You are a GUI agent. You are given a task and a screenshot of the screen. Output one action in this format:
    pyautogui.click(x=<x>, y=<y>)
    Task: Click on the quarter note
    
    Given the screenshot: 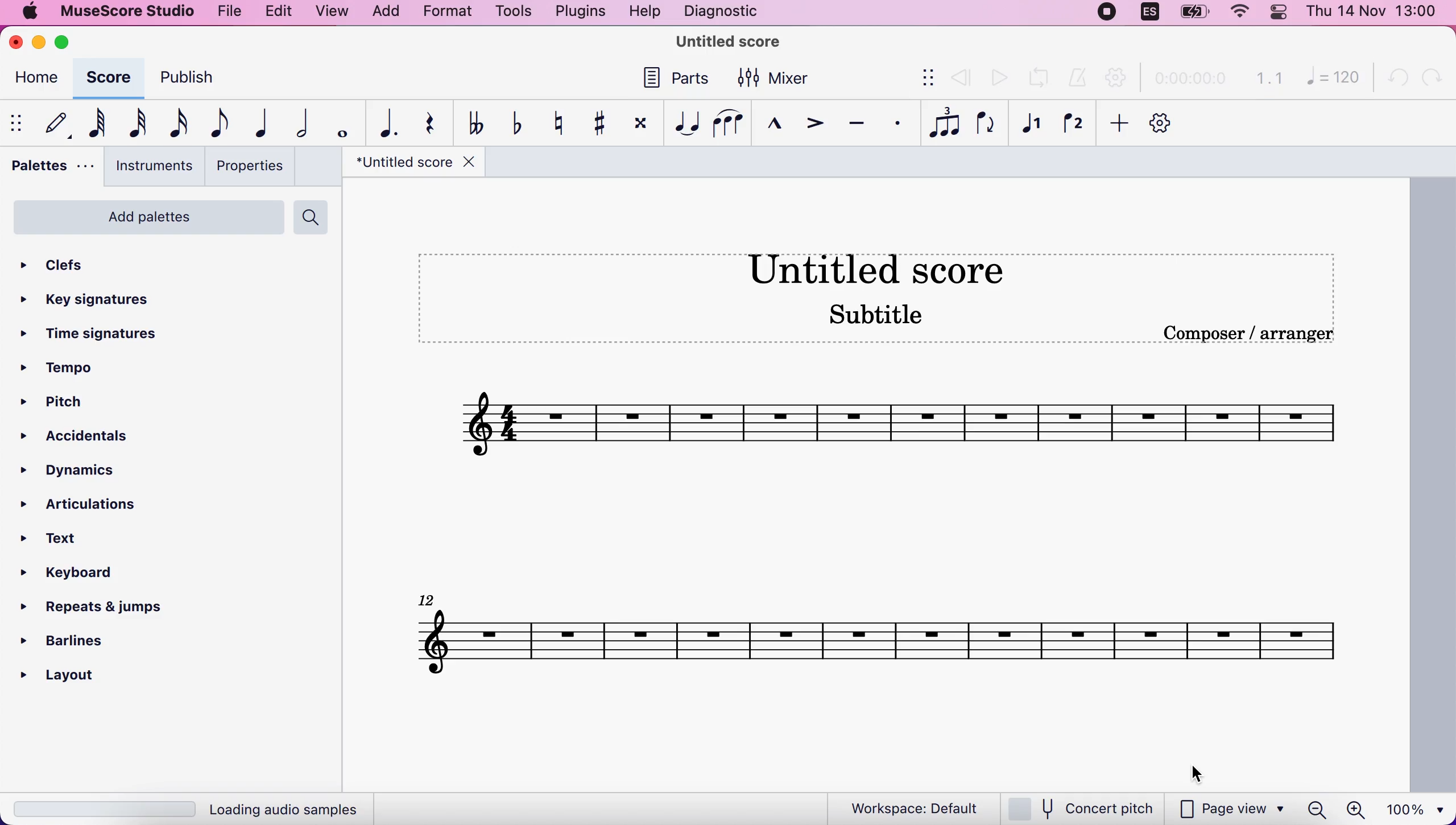 What is the action you would take?
    pyautogui.click(x=258, y=125)
    